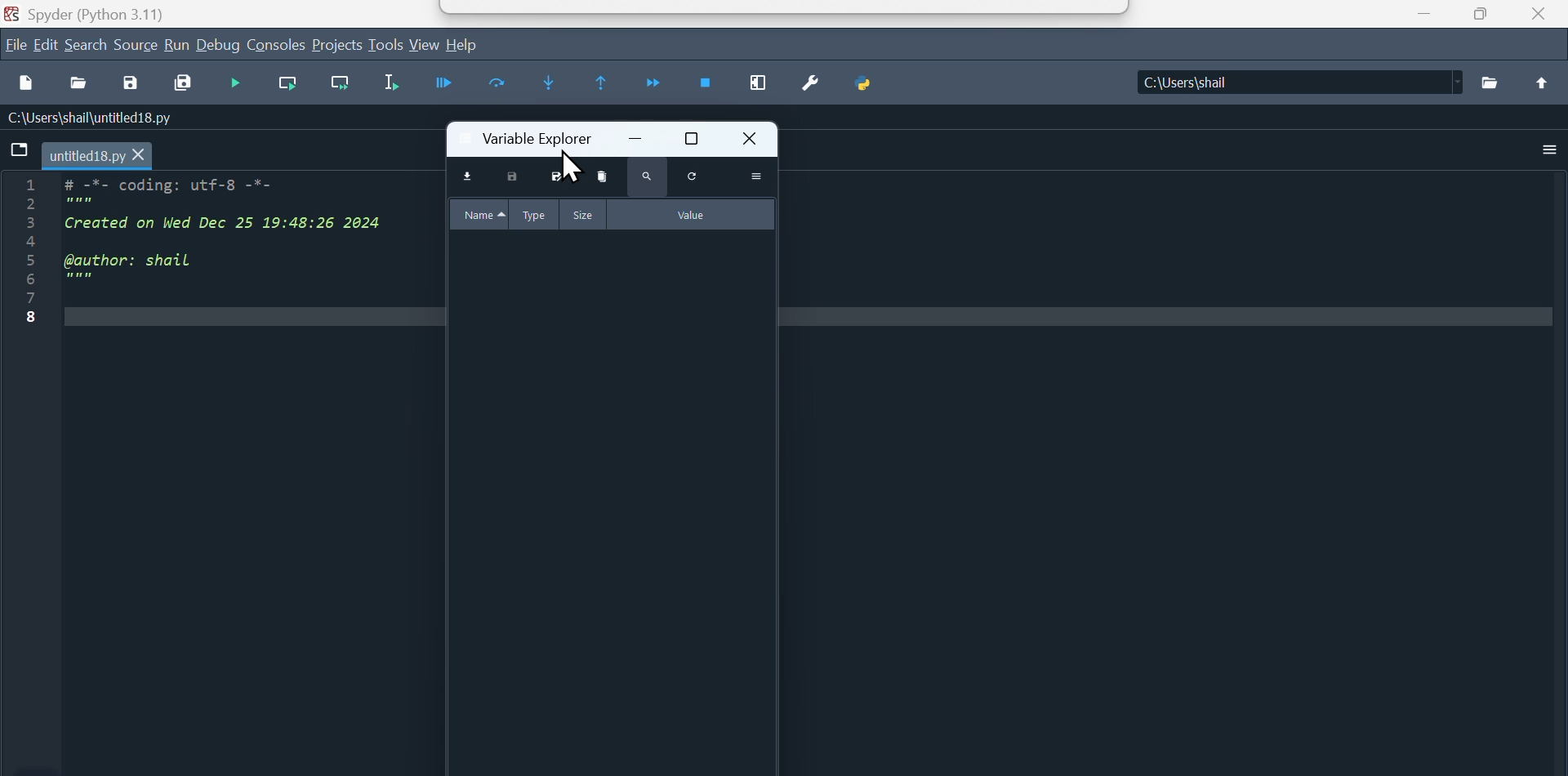 The image size is (1568, 776). What do you see at coordinates (708, 88) in the screenshot?
I see `Stop Debugging` at bounding box center [708, 88].